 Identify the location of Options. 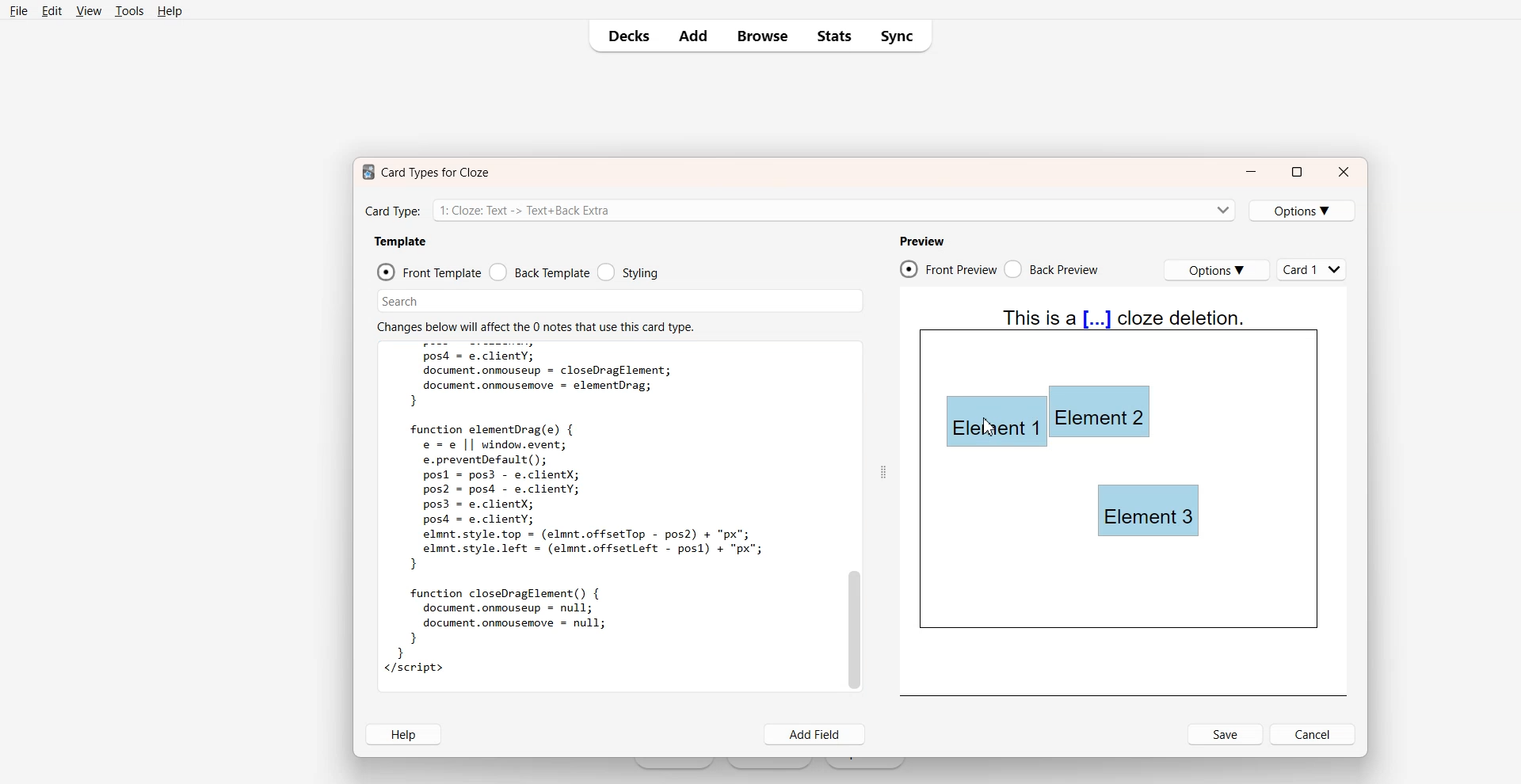
(1303, 211).